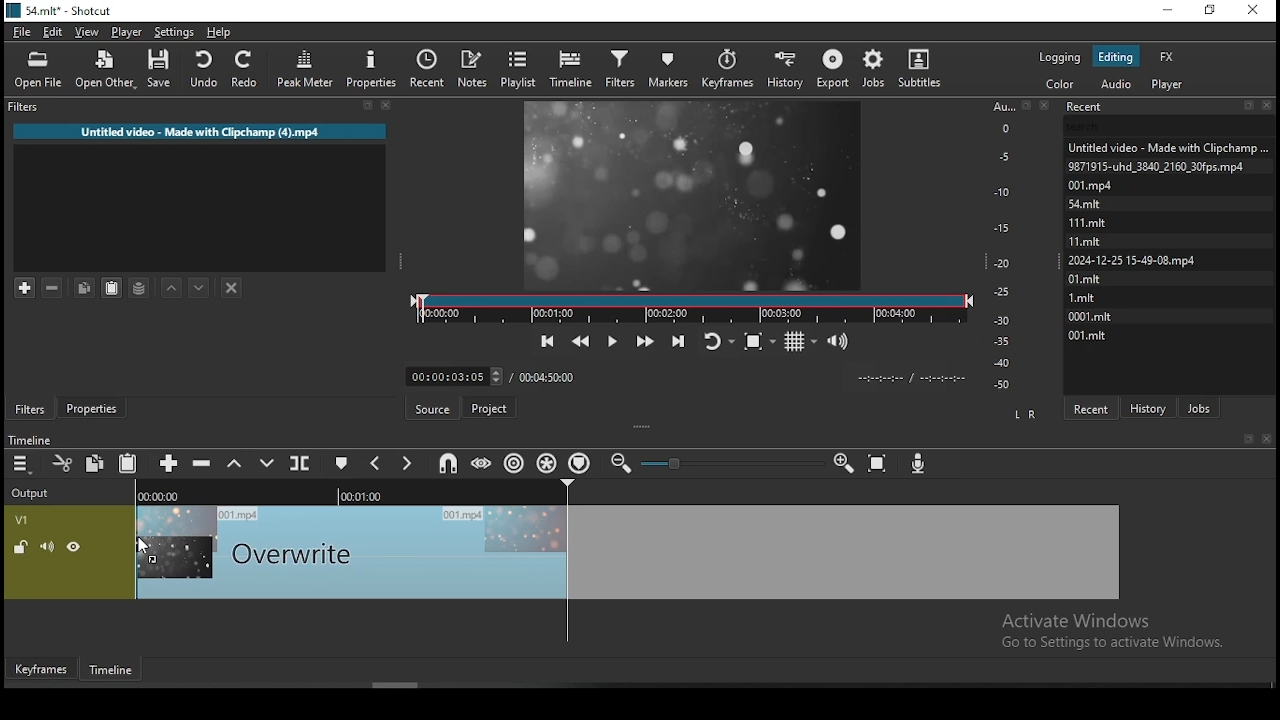 The width and height of the screenshot is (1280, 720). What do you see at coordinates (450, 462) in the screenshot?
I see `snap` at bounding box center [450, 462].